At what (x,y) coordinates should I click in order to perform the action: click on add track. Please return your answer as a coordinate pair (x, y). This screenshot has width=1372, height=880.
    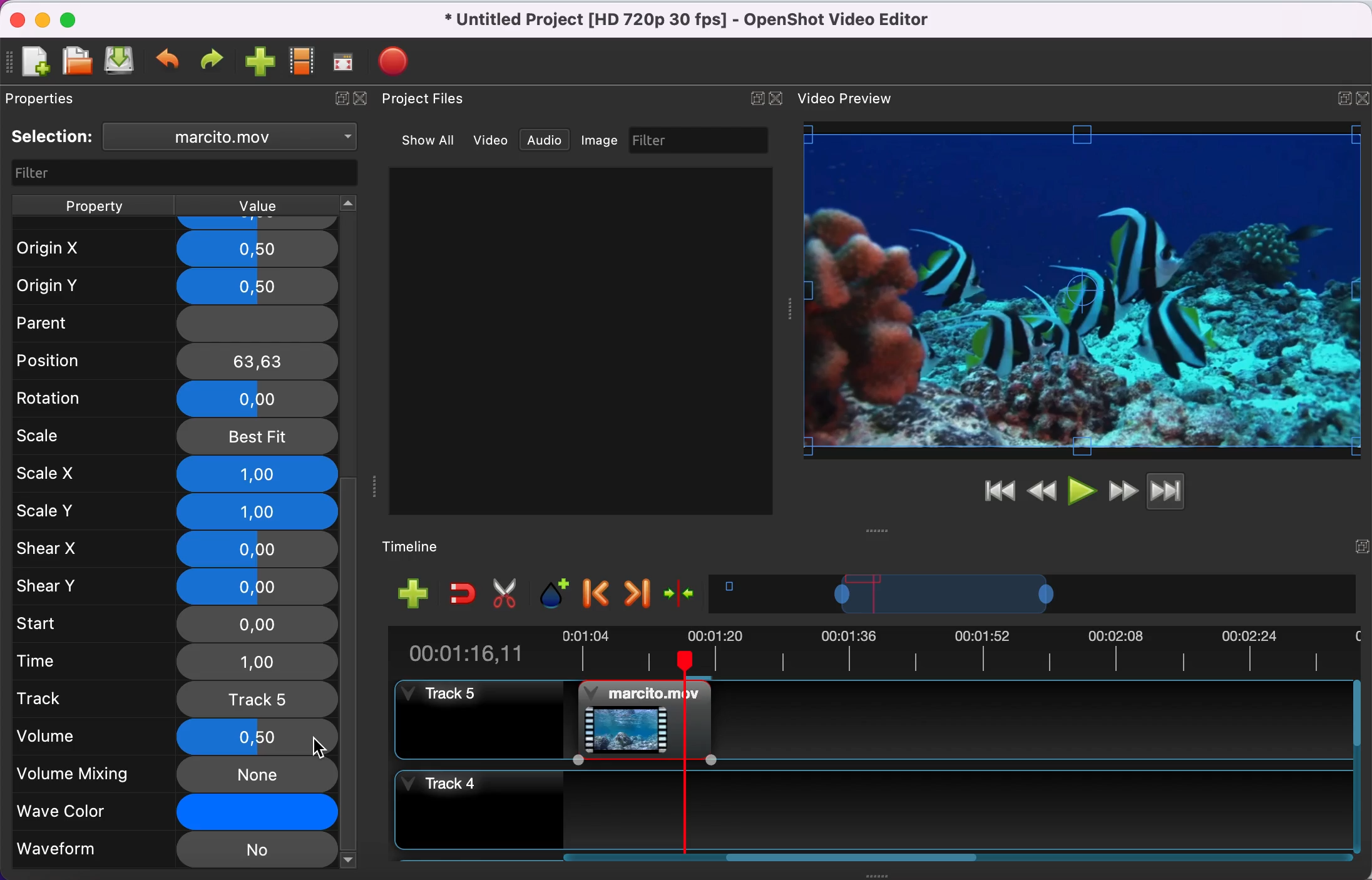
    Looking at the image, I should click on (412, 595).